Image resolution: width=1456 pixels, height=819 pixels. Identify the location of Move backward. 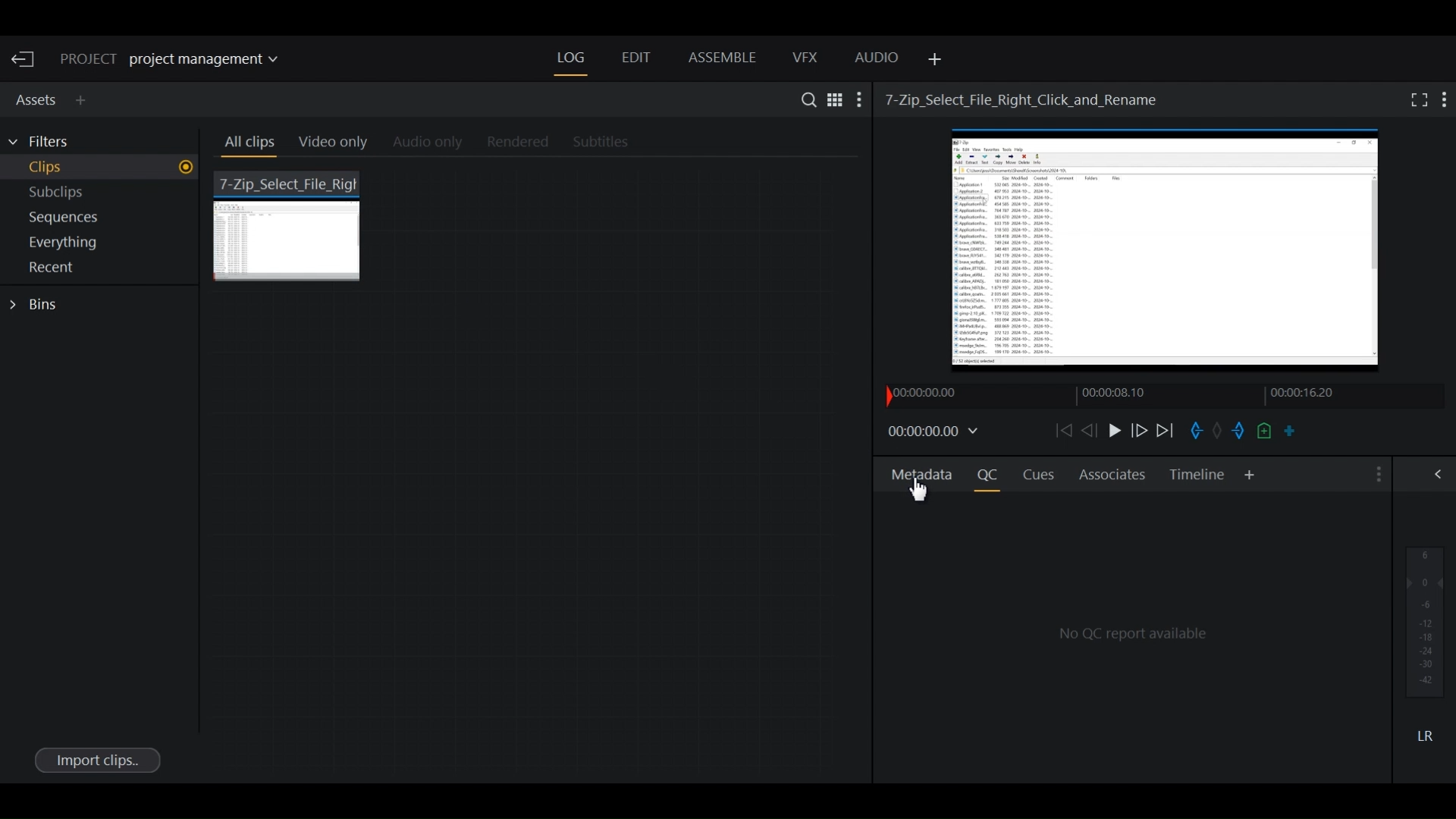
(1062, 430).